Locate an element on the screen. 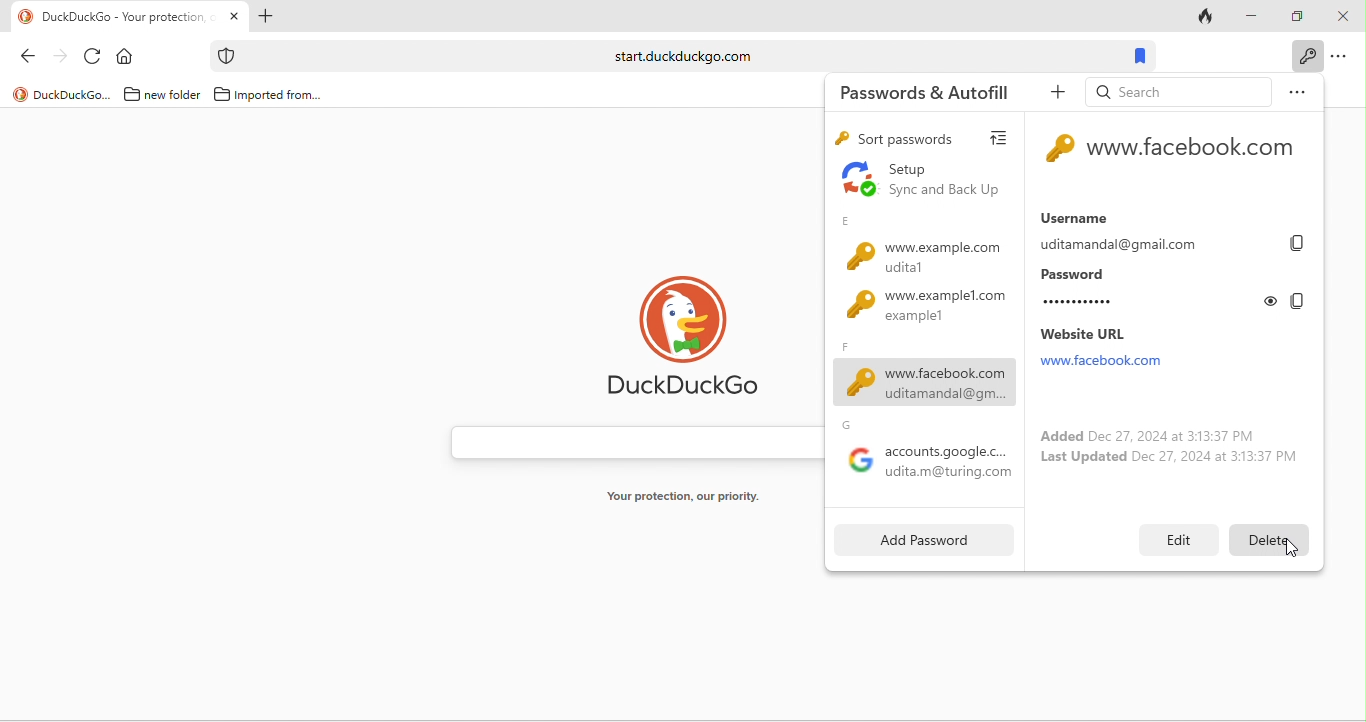 Image resolution: width=1366 pixels, height=722 pixels. reload is located at coordinates (94, 58).